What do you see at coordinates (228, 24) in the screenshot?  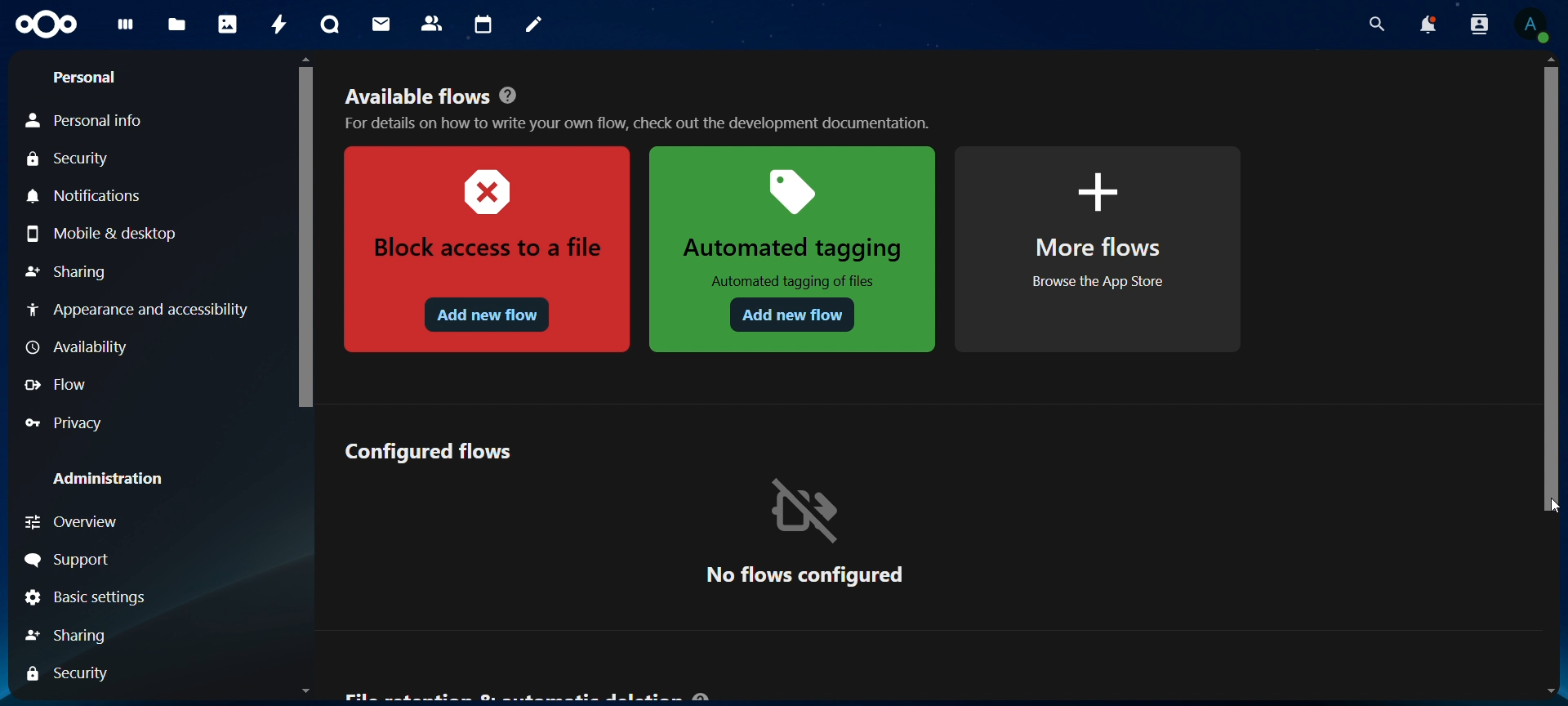 I see `photos` at bounding box center [228, 24].